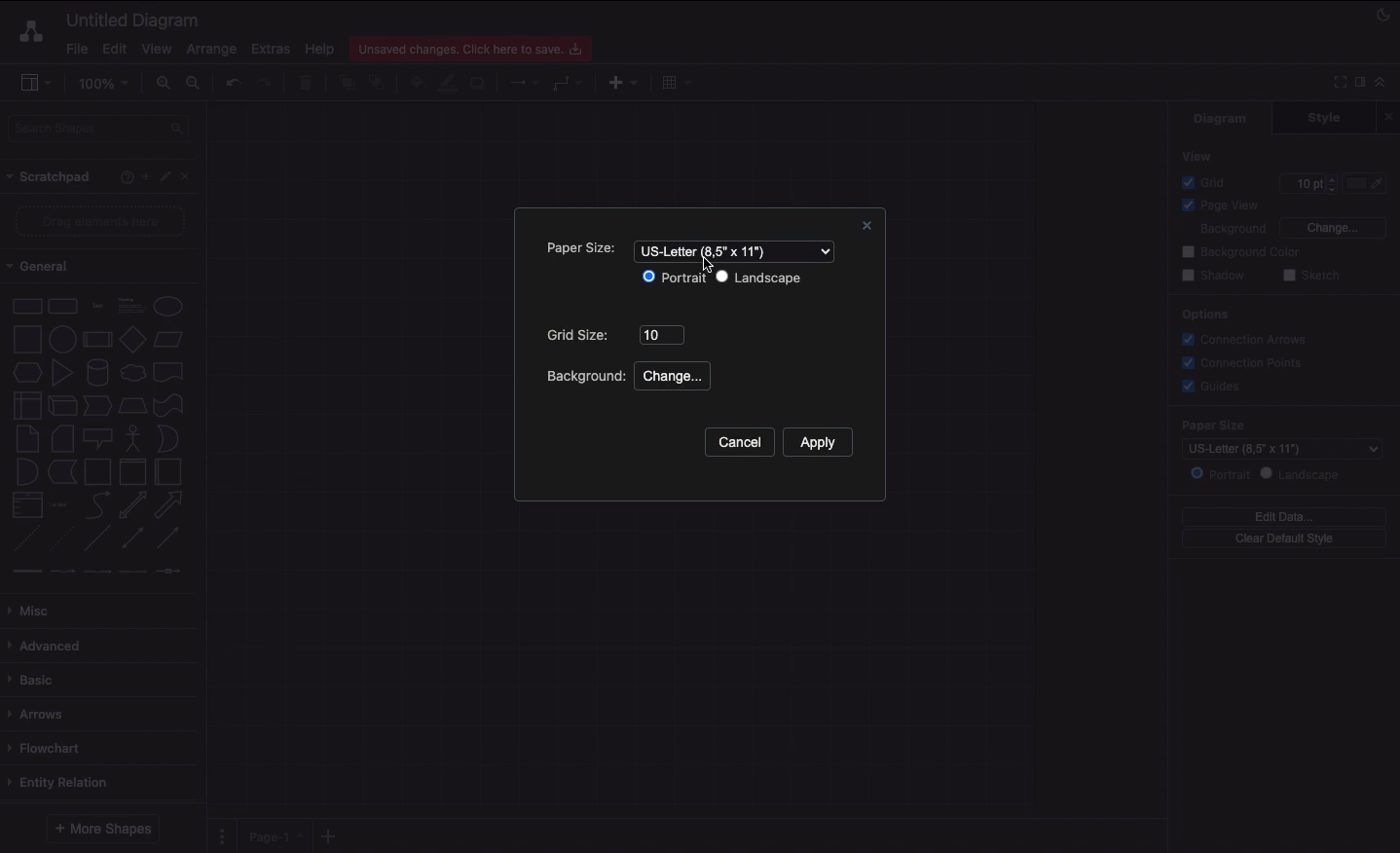 The image size is (1400, 853). Describe the element at coordinates (97, 307) in the screenshot. I see `Text` at that location.